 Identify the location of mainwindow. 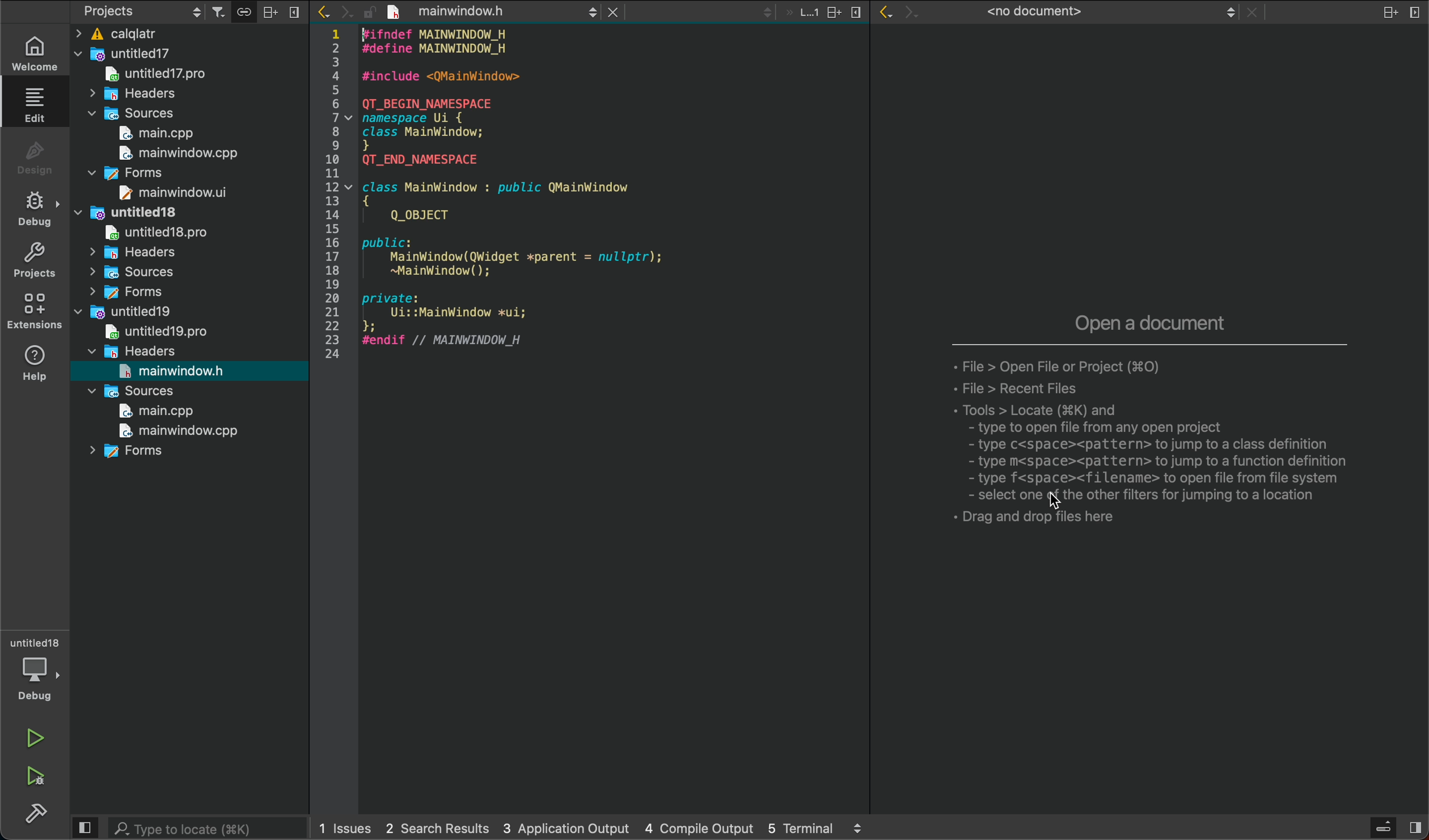
(177, 372).